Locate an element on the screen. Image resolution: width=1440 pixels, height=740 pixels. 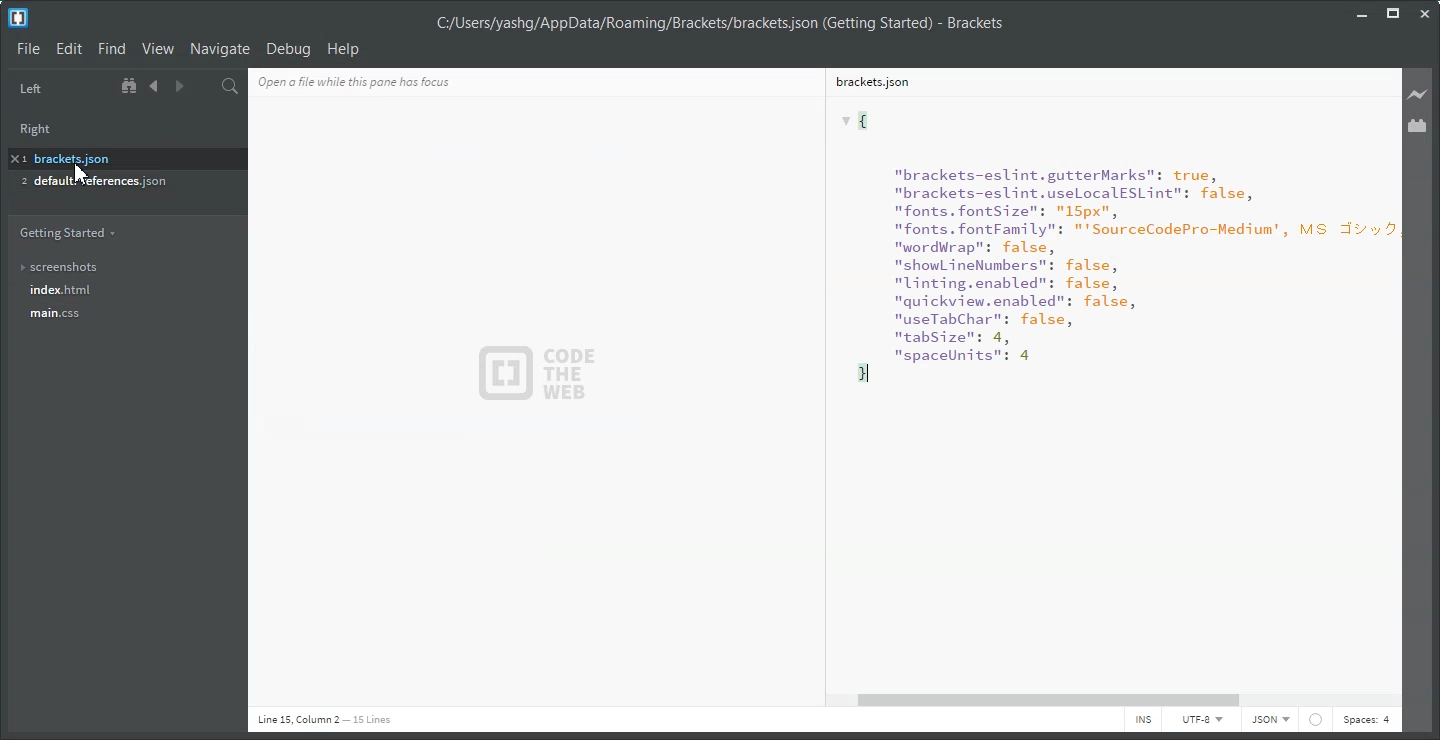
Live Preview is located at coordinates (1418, 94).